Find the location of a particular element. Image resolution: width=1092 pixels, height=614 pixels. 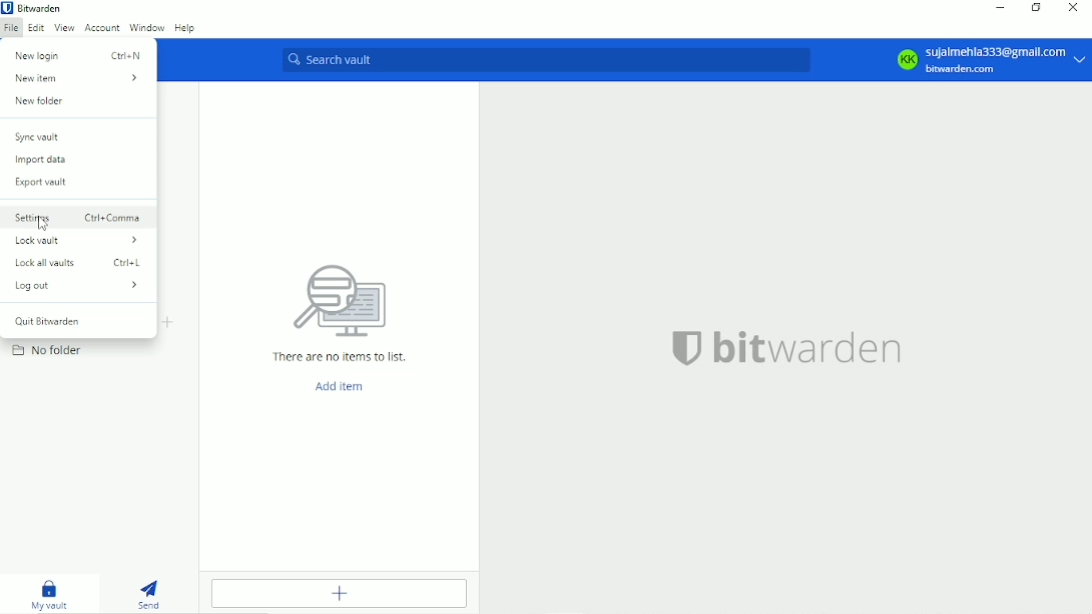

Help is located at coordinates (186, 27).